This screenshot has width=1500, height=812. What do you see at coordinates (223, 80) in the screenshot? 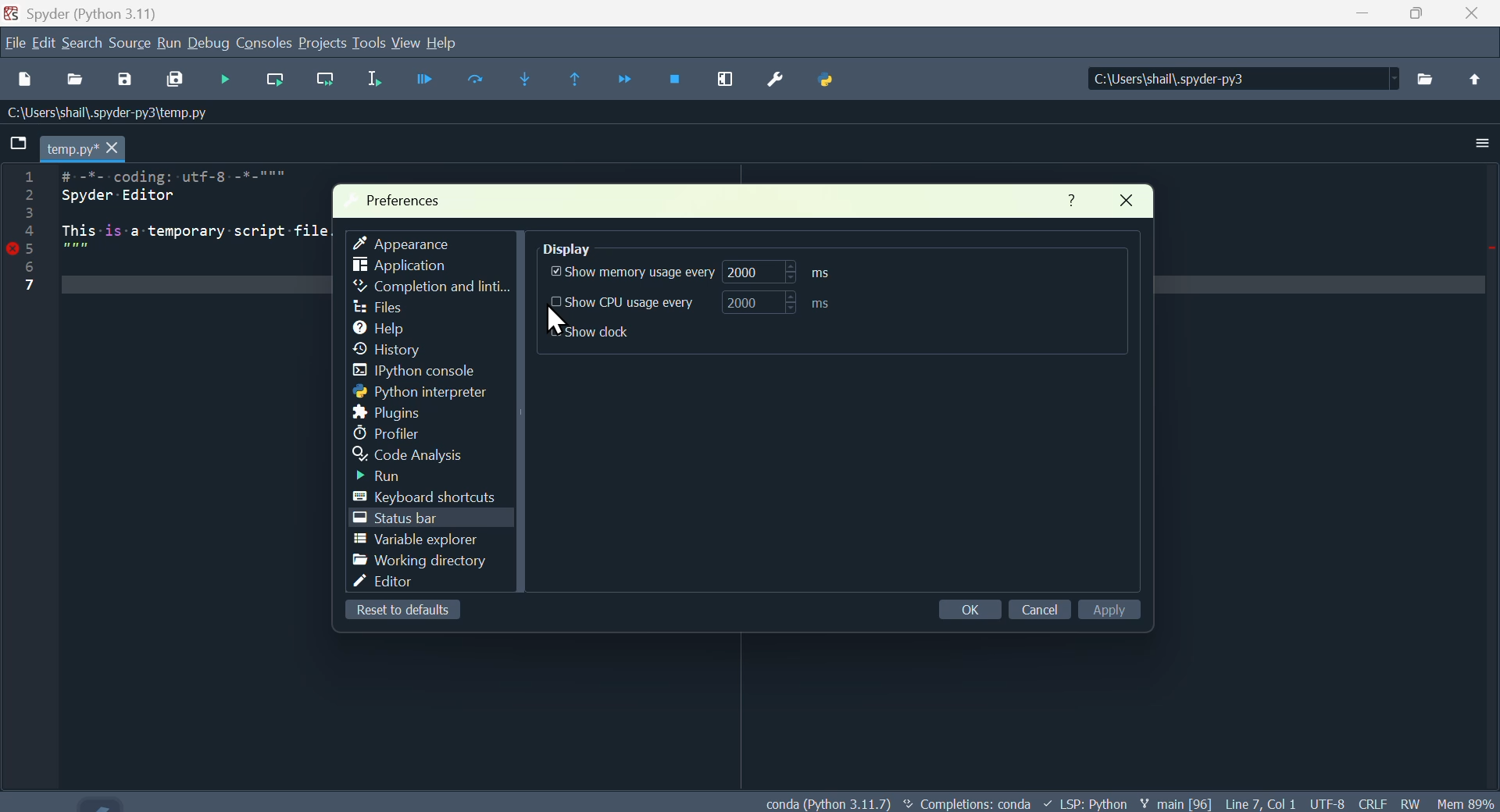
I see `Debug file` at bounding box center [223, 80].